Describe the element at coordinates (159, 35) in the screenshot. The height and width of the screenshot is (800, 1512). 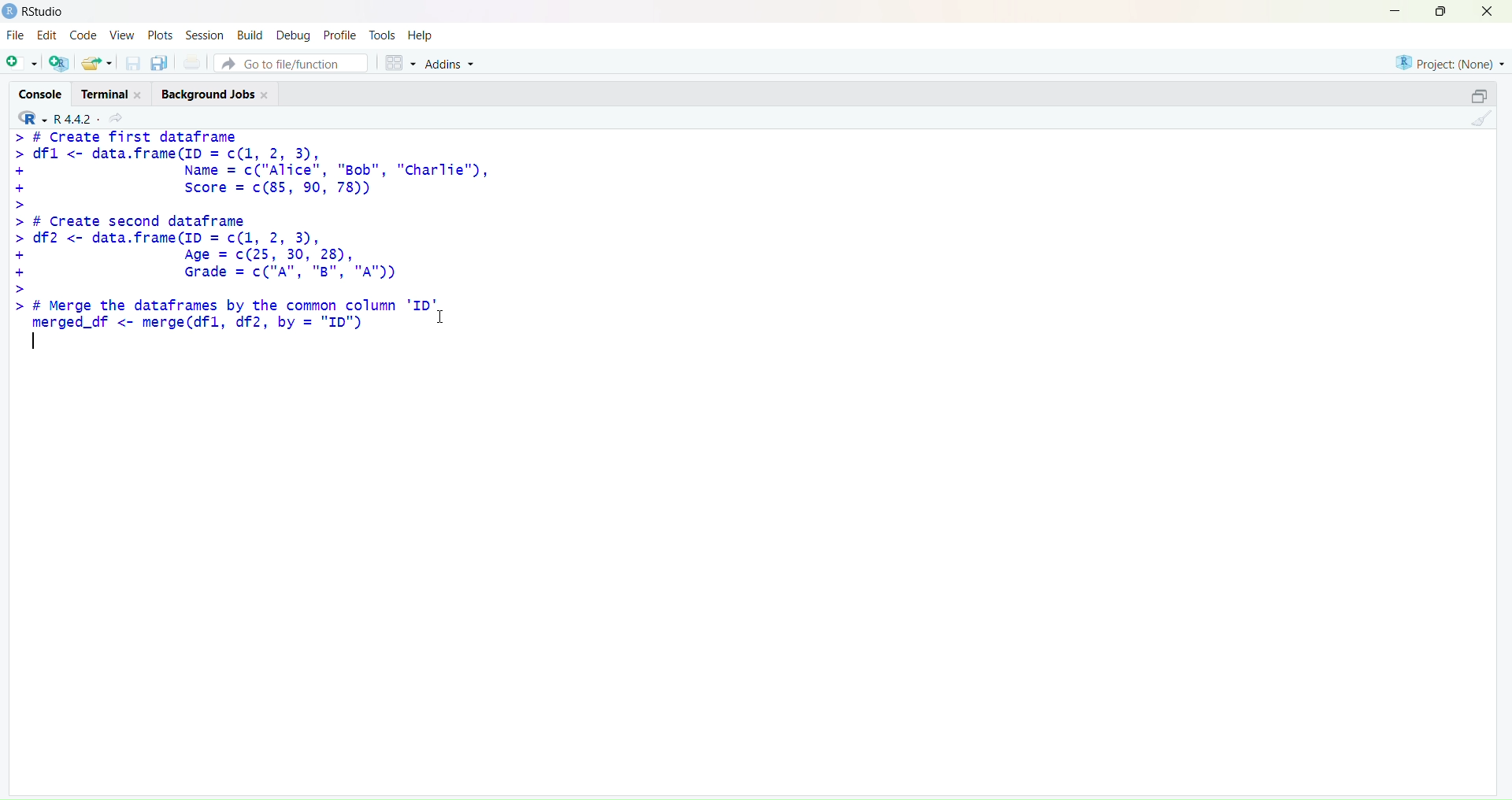
I see `Plots` at that location.